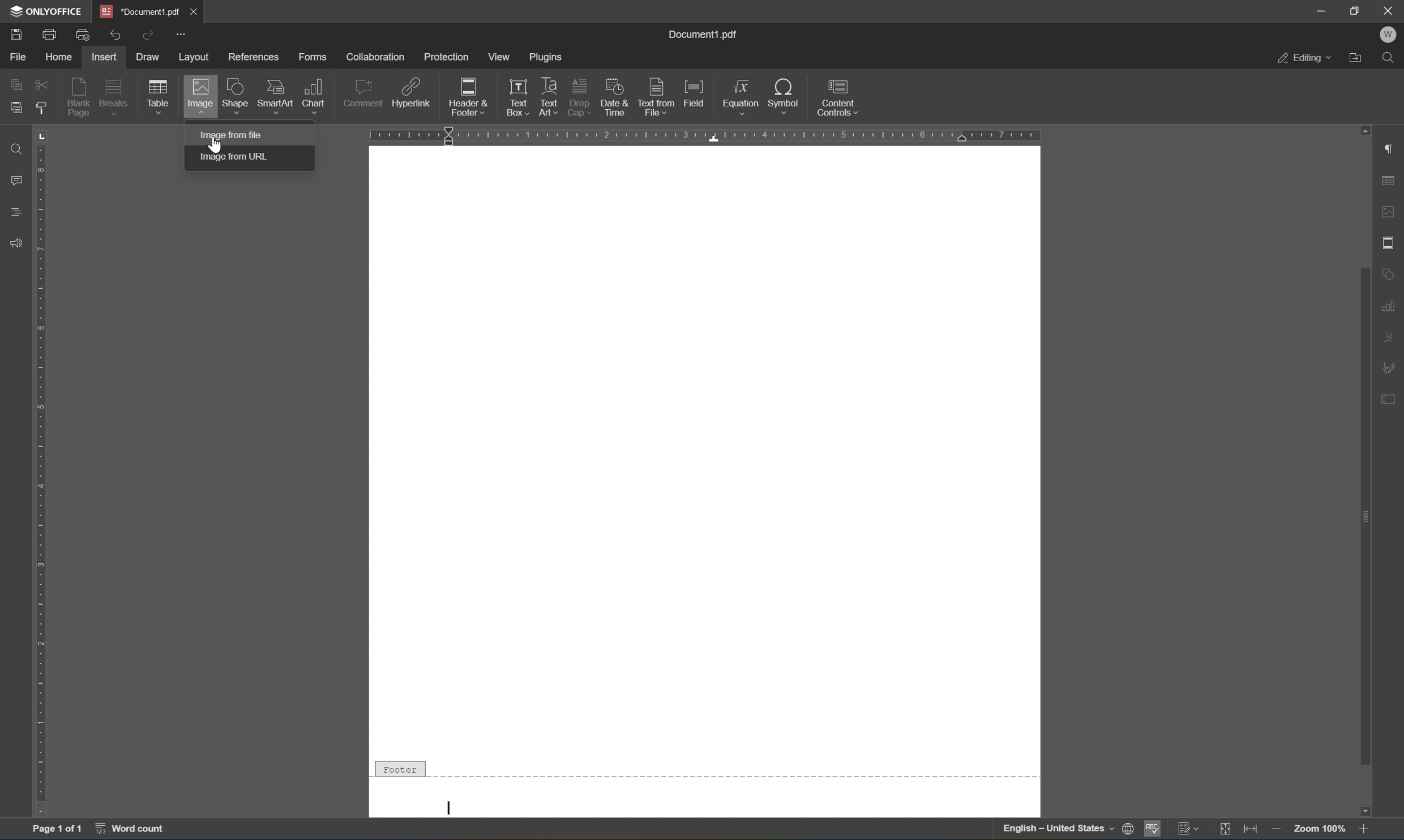  What do you see at coordinates (1304, 57) in the screenshot?
I see `editing` at bounding box center [1304, 57].